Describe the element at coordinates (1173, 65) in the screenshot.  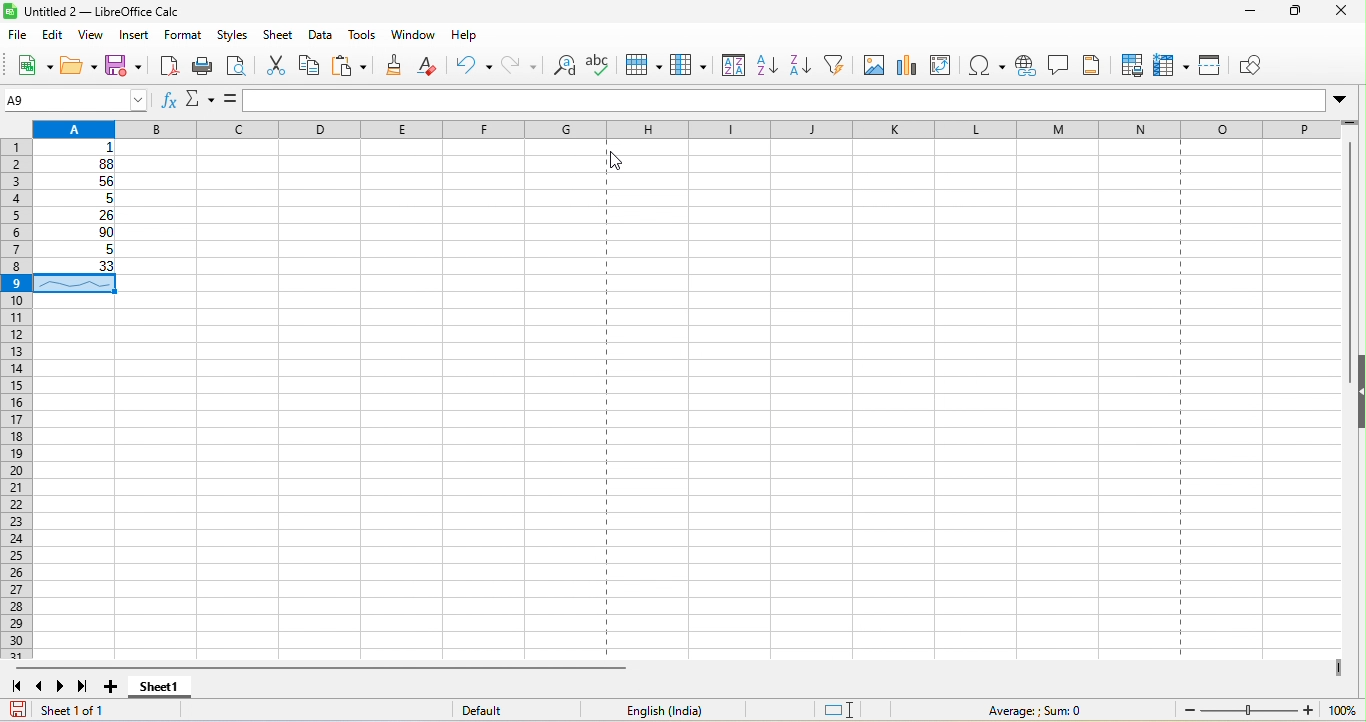
I see `freeze rows and column` at that location.